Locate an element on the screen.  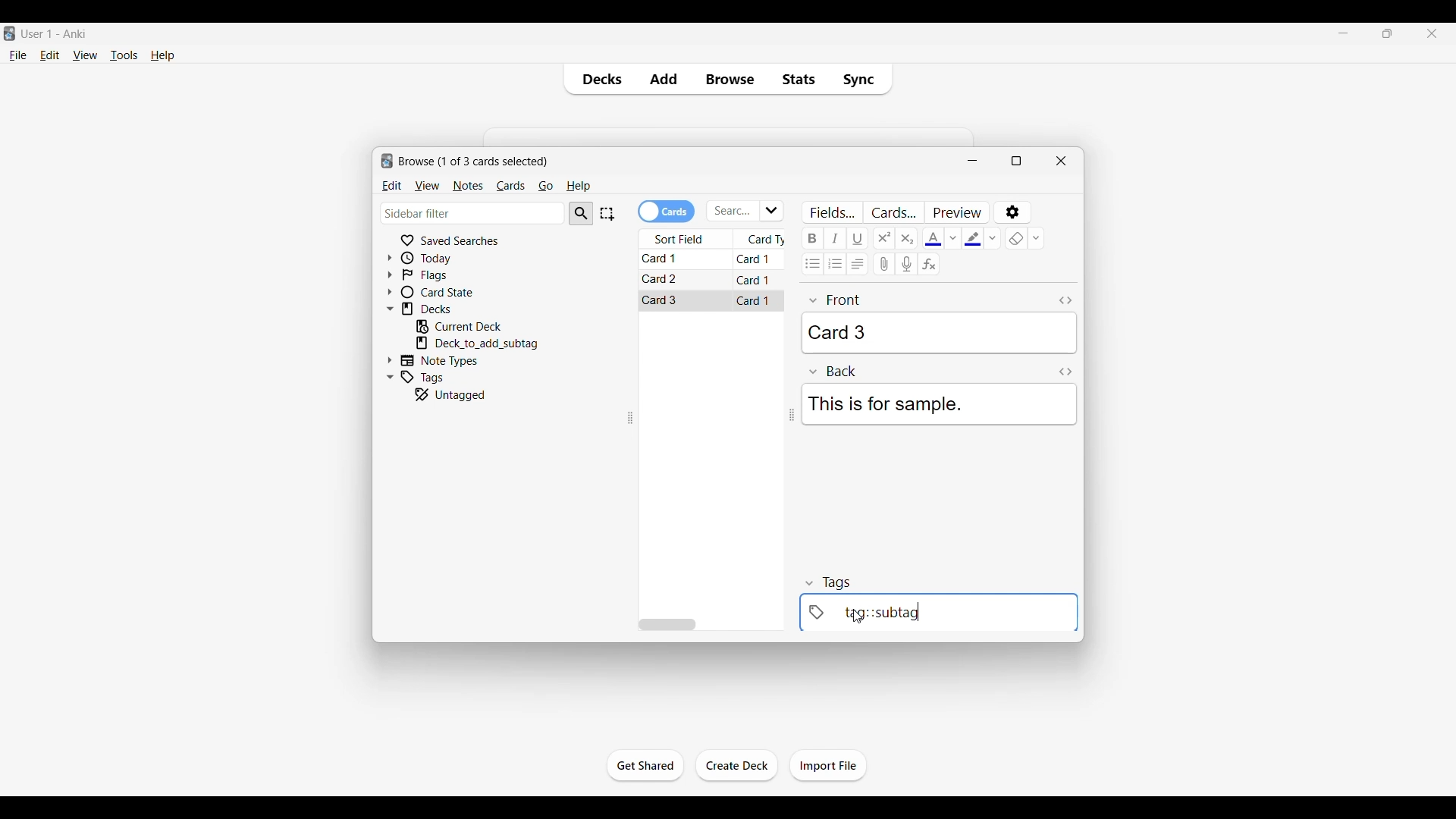
Search is located at coordinates (581, 214).